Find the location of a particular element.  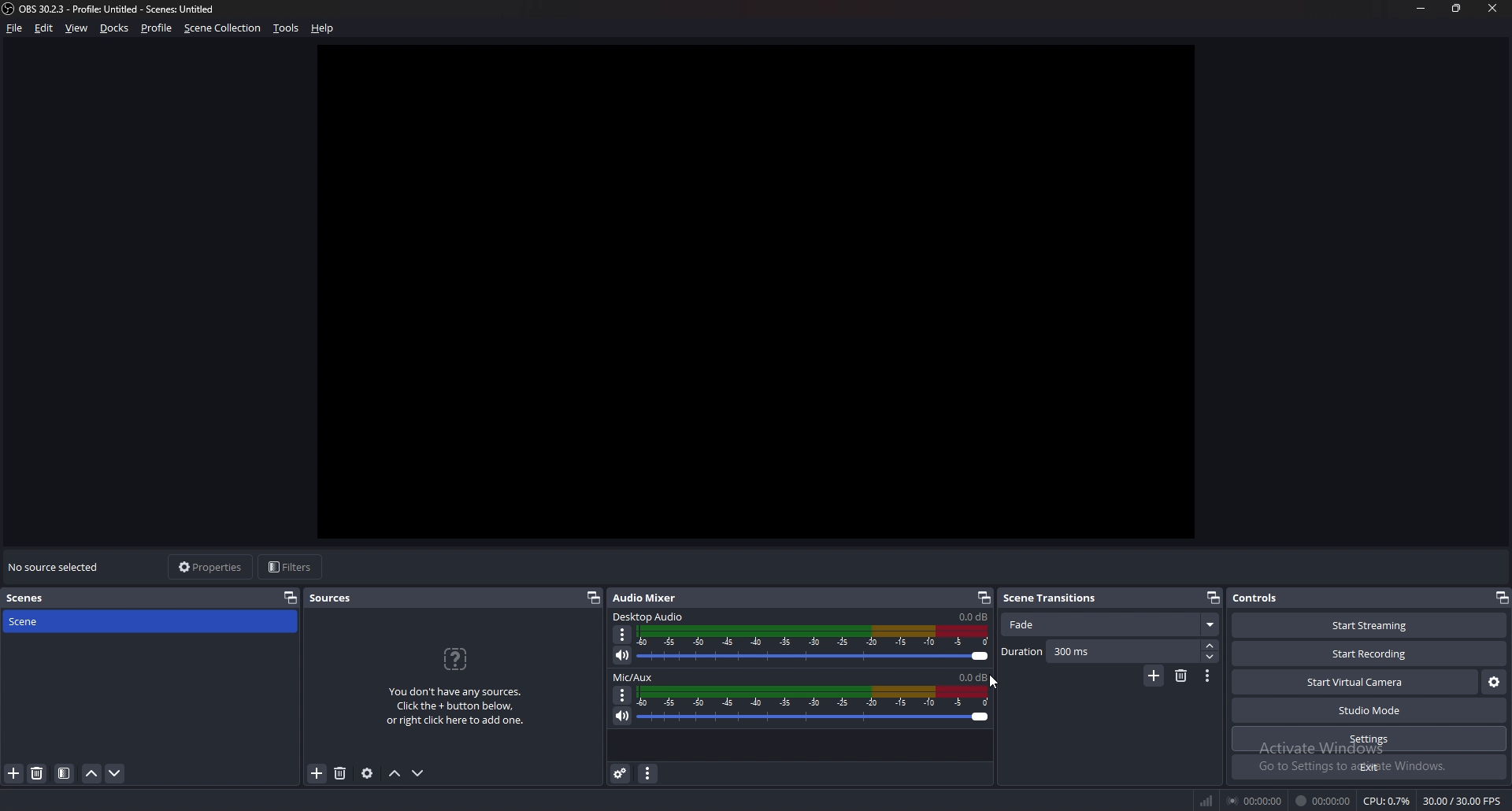

help is located at coordinates (323, 28).